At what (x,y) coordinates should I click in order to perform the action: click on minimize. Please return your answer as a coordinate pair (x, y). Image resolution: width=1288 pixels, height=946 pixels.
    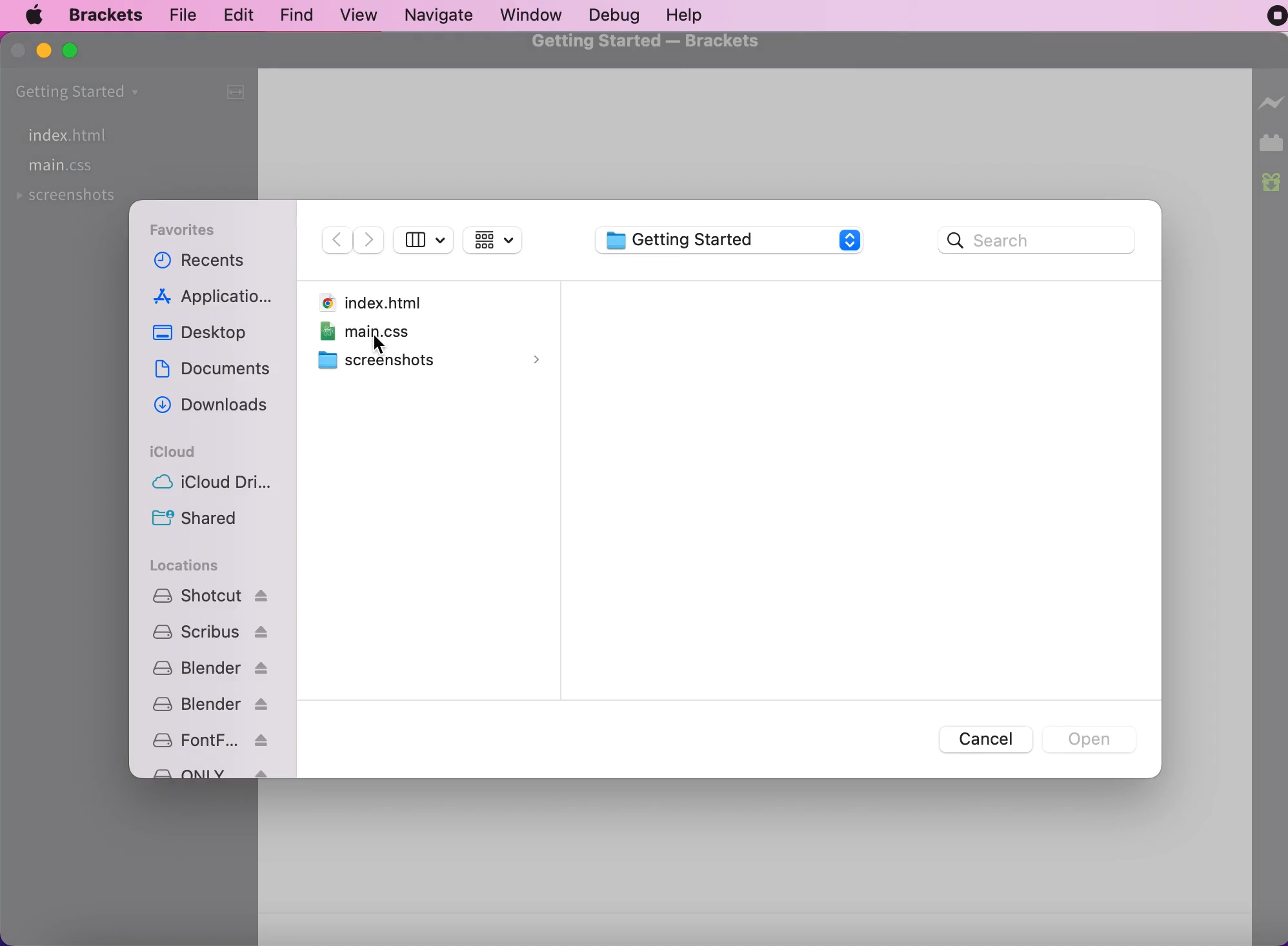
    Looking at the image, I should click on (45, 54).